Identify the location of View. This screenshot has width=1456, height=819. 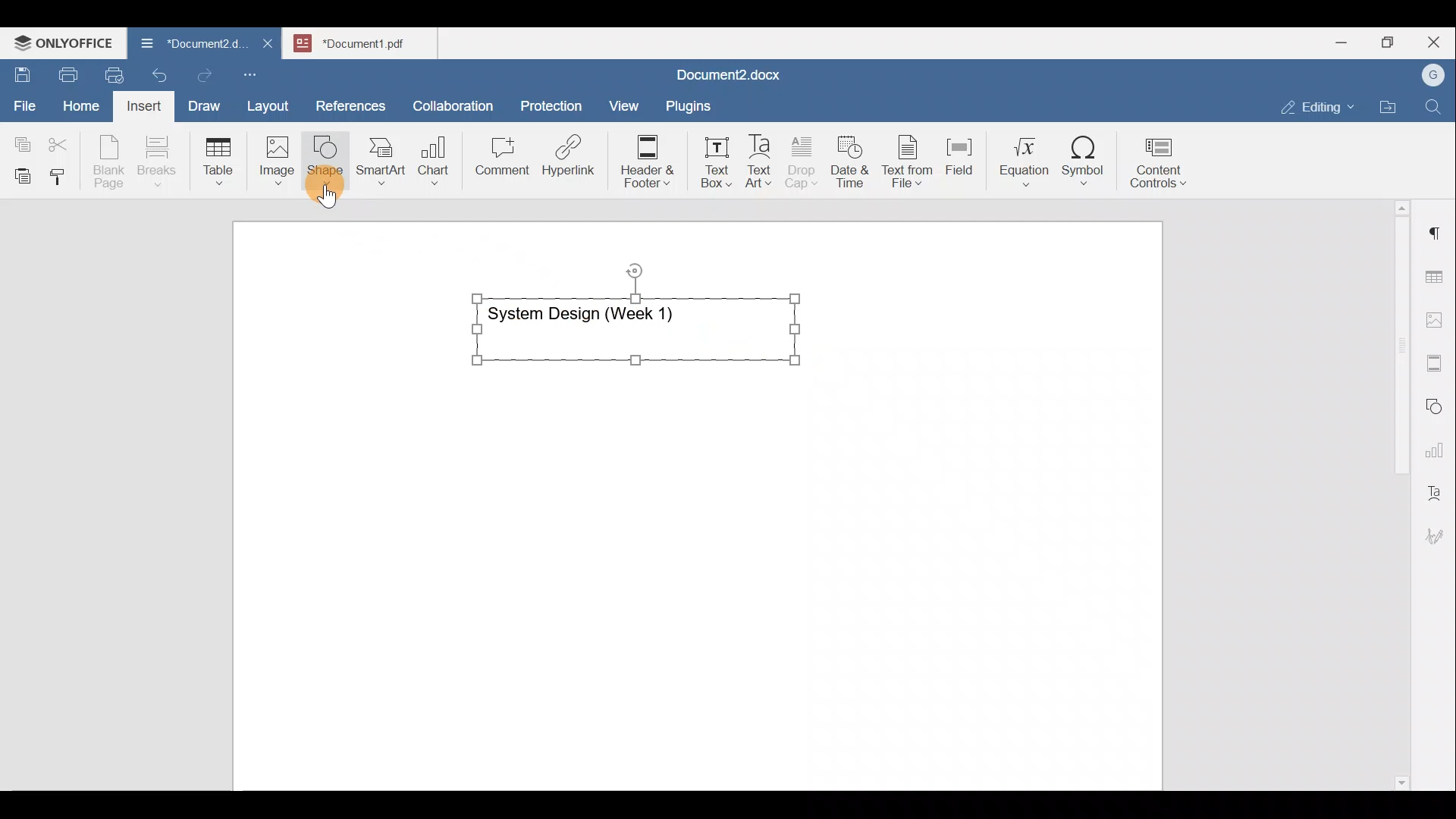
(625, 101).